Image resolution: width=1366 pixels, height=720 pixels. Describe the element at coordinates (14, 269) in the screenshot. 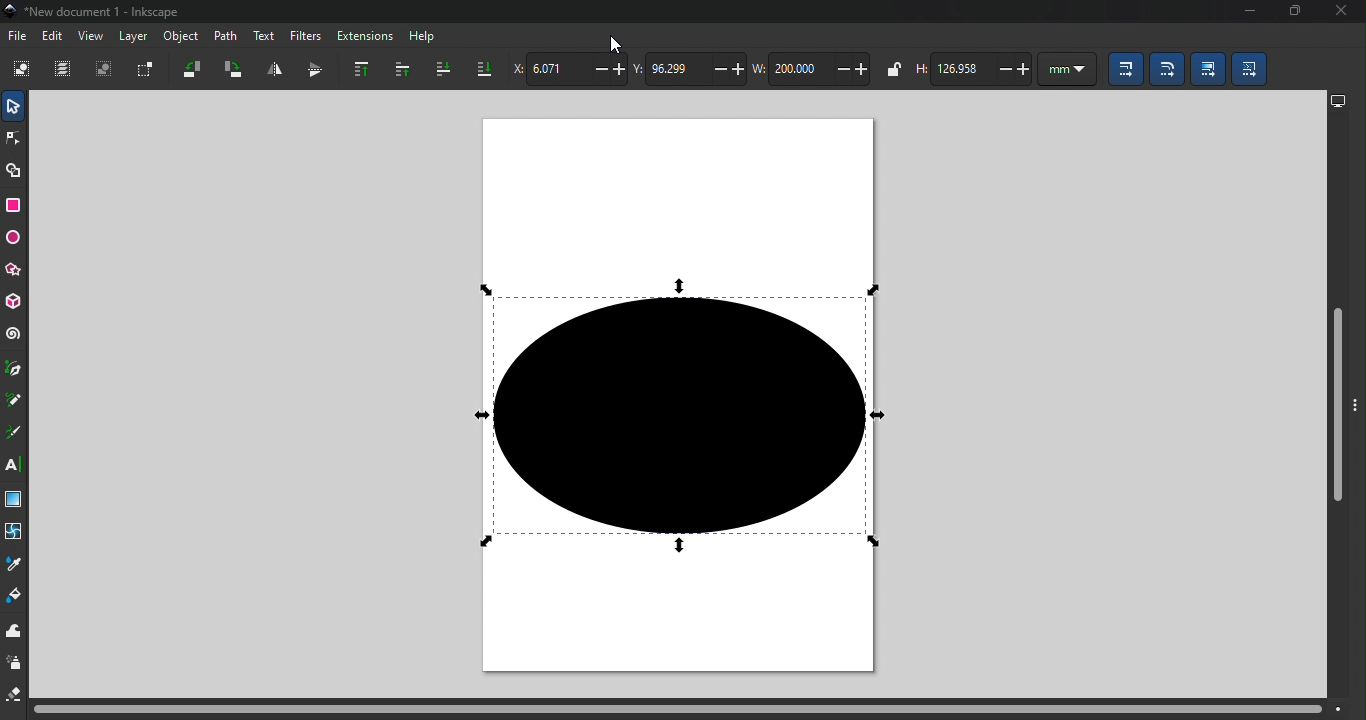

I see `star/polygon tool` at that location.